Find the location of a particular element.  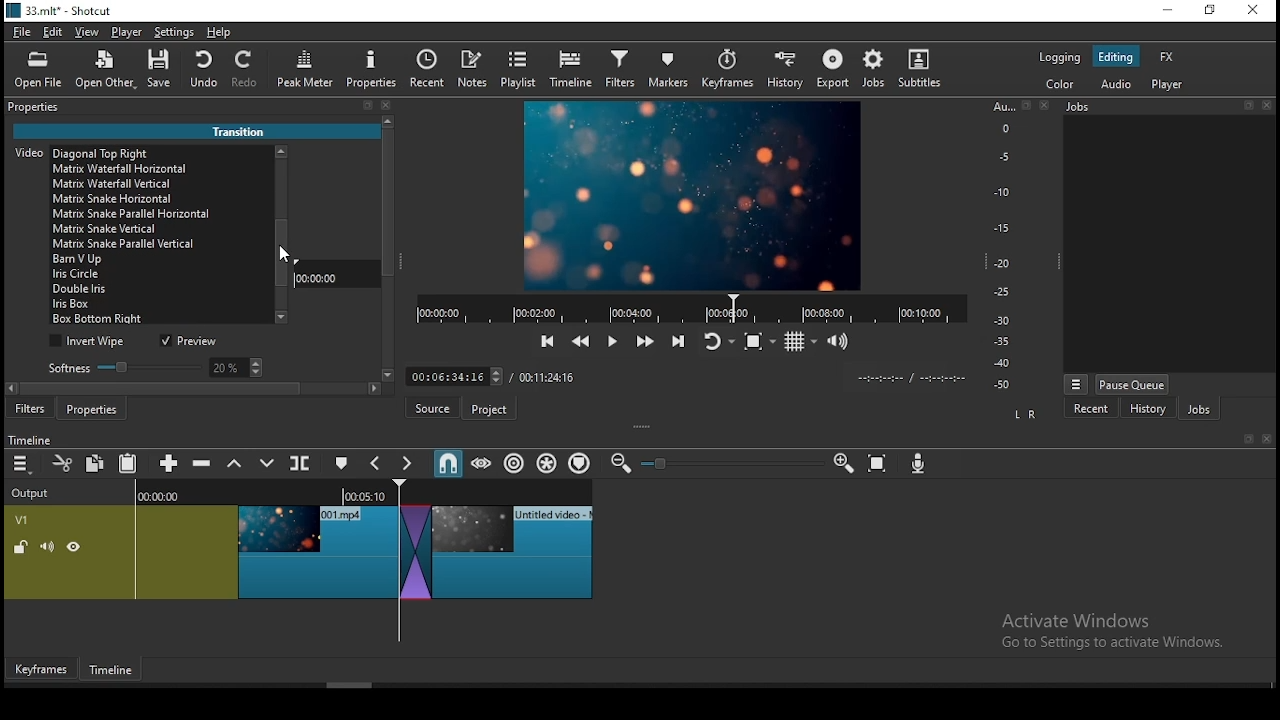

transition option is located at coordinates (163, 170).